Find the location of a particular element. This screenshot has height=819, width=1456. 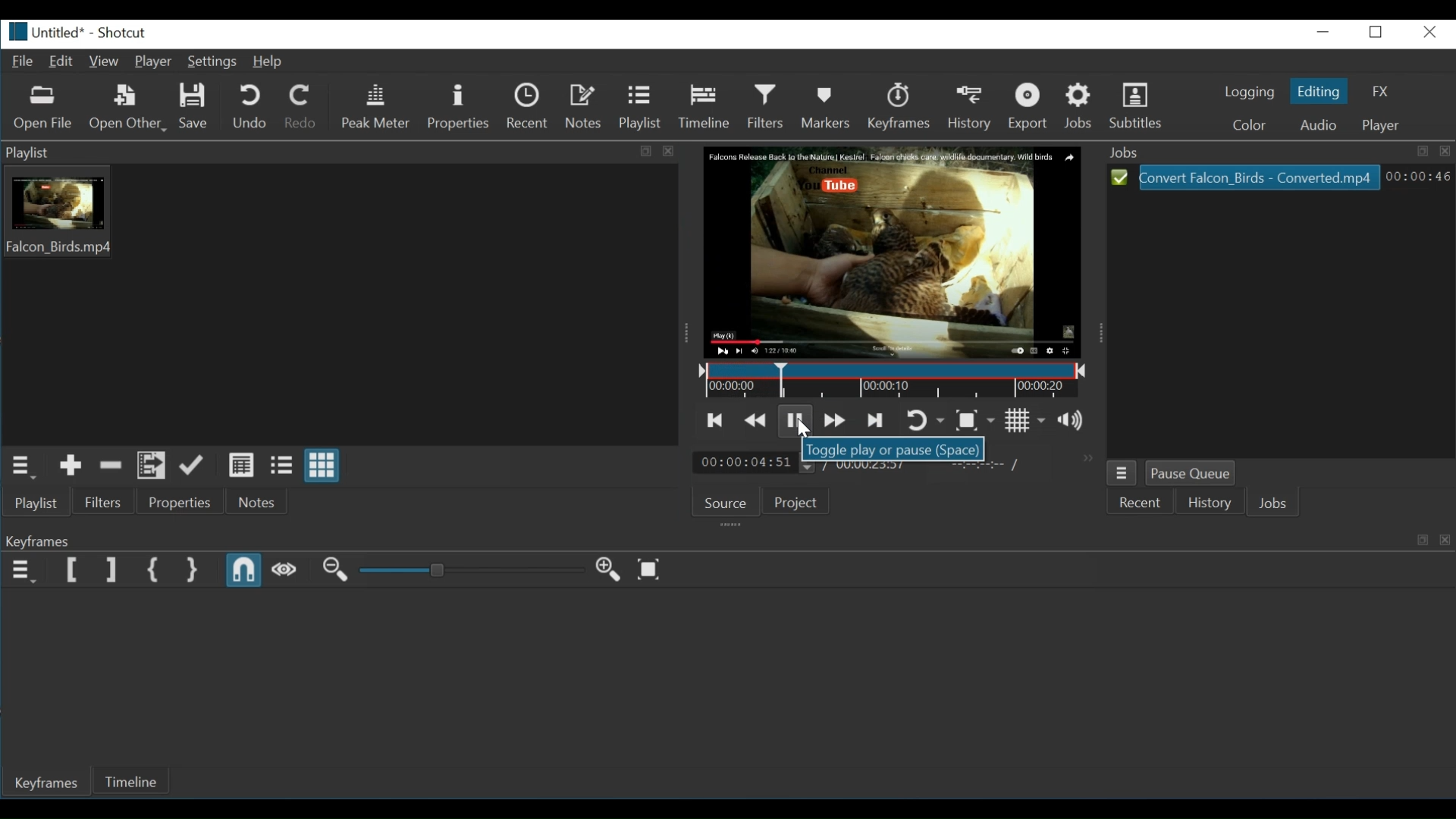

Cursor is located at coordinates (803, 431).